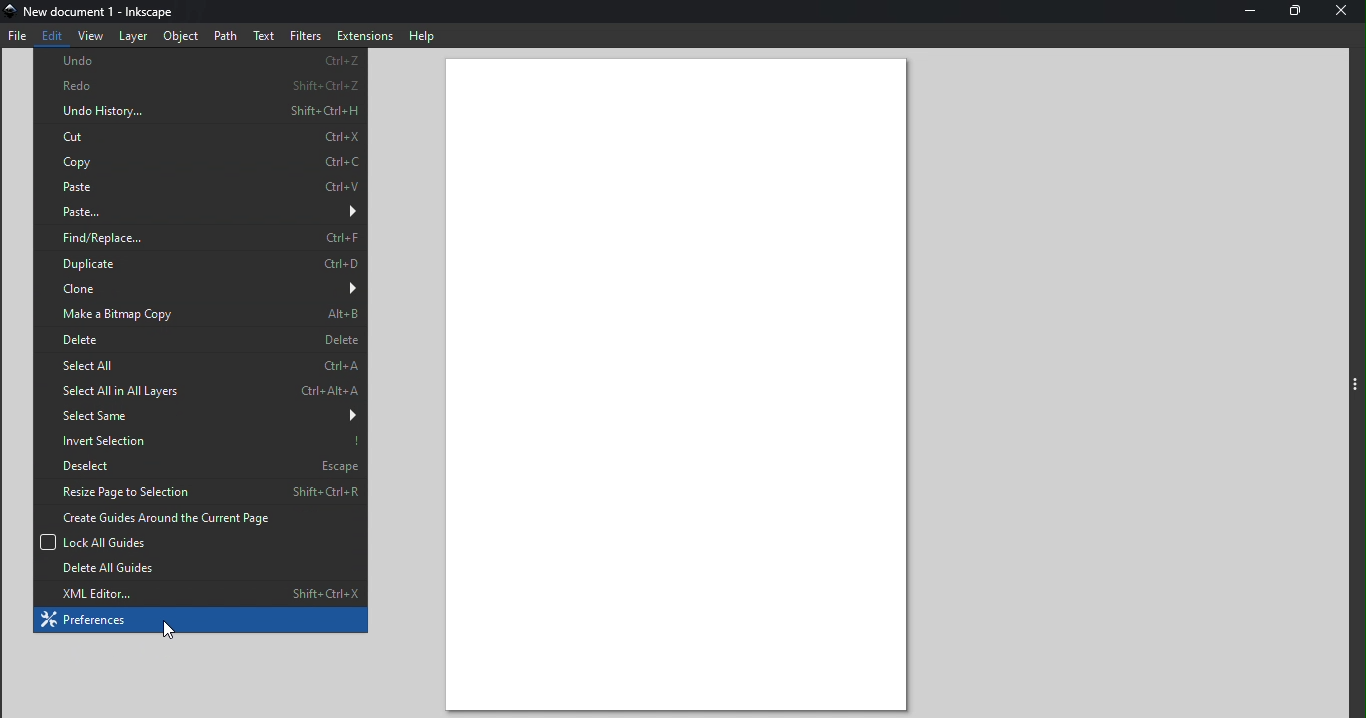  What do you see at coordinates (196, 464) in the screenshot?
I see `Deselect` at bounding box center [196, 464].